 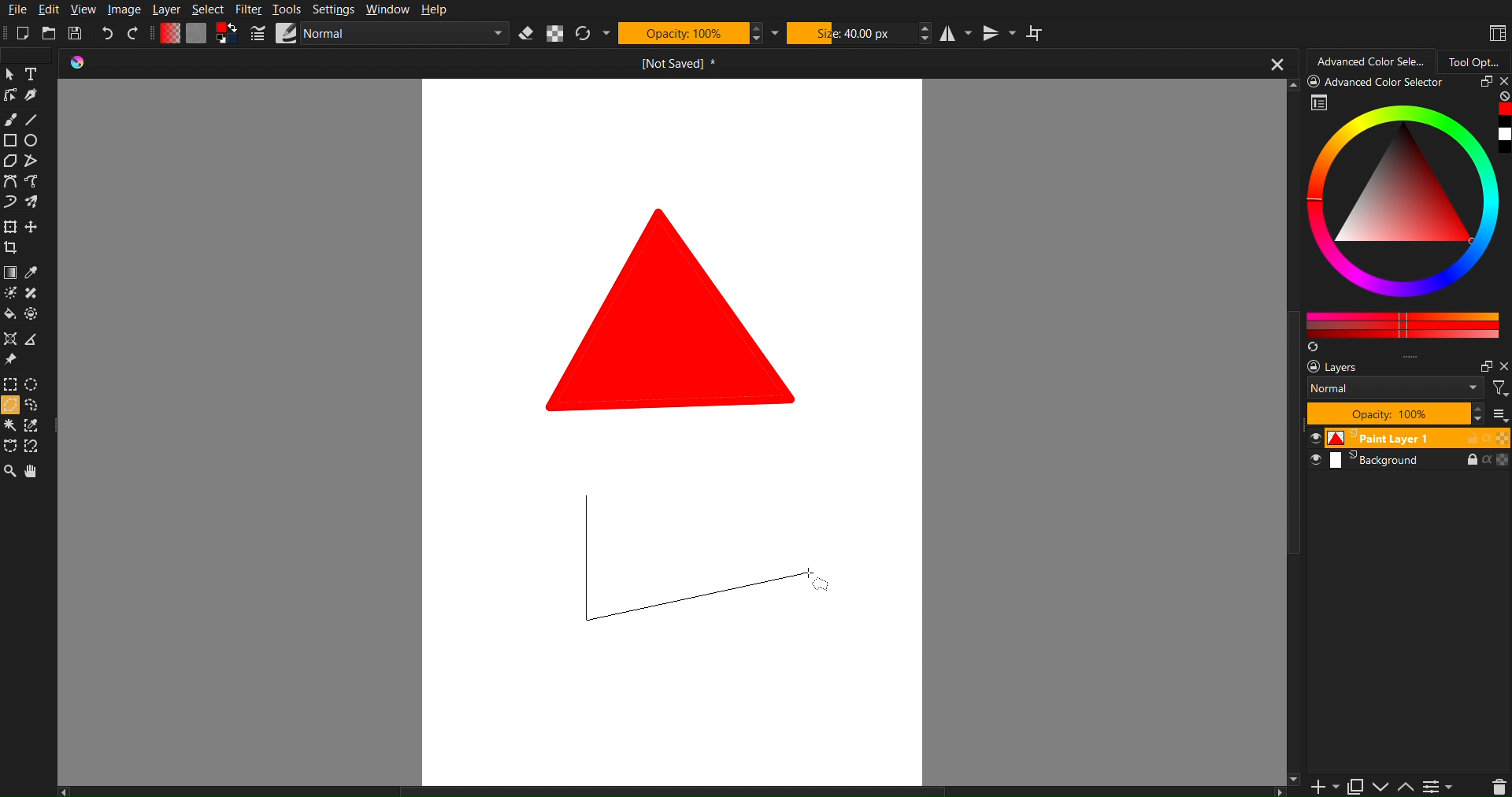 What do you see at coordinates (135, 32) in the screenshot?
I see `Redo` at bounding box center [135, 32].